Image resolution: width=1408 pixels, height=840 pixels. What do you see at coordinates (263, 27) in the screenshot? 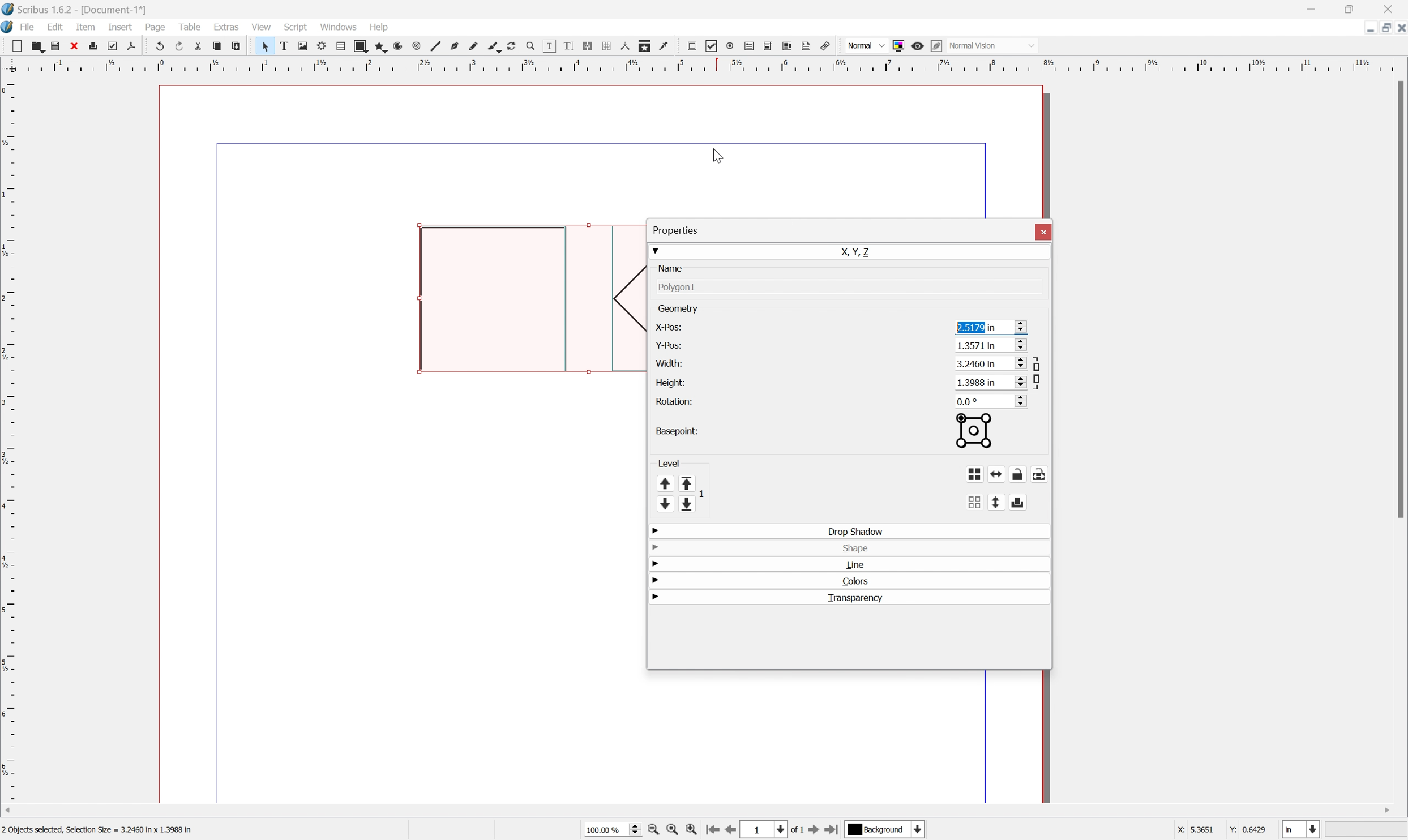
I see `view` at bounding box center [263, 27].